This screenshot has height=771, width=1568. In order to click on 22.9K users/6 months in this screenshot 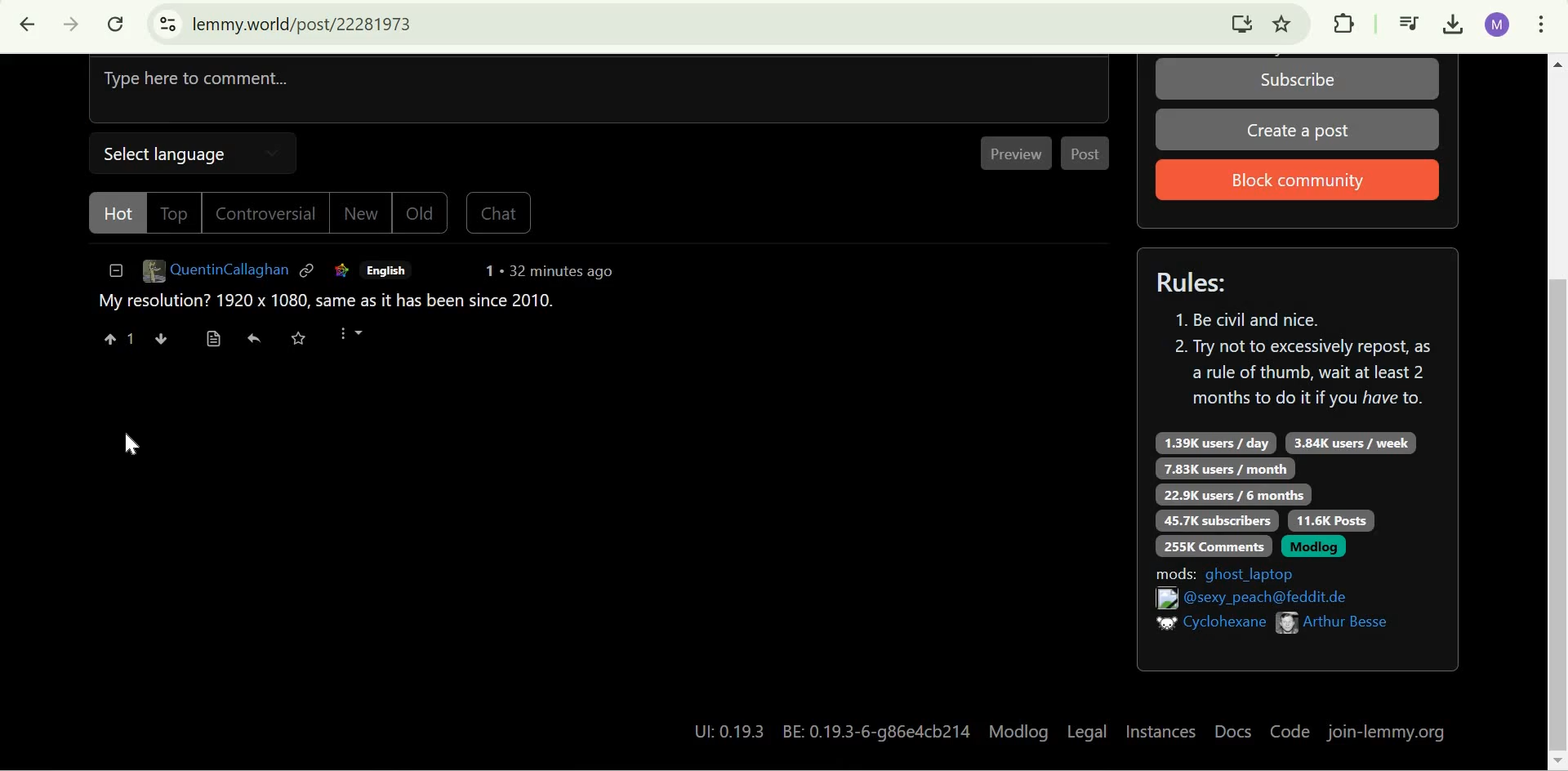, I will do `click(1236, 495)`.